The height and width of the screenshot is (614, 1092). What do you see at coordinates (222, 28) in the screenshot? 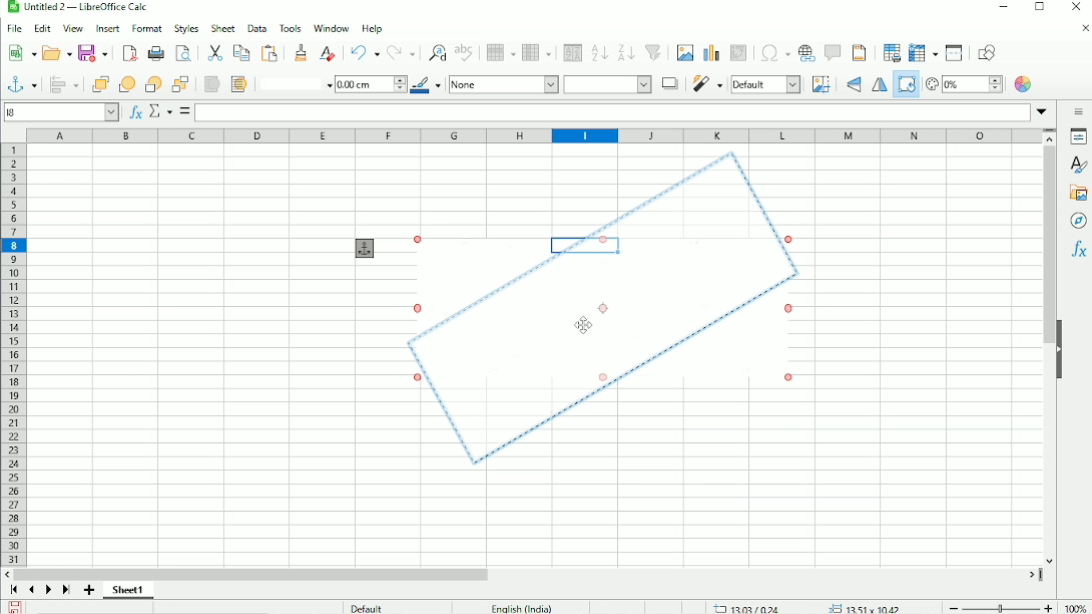
I see `Sheet` at bounding box center [222, 28].